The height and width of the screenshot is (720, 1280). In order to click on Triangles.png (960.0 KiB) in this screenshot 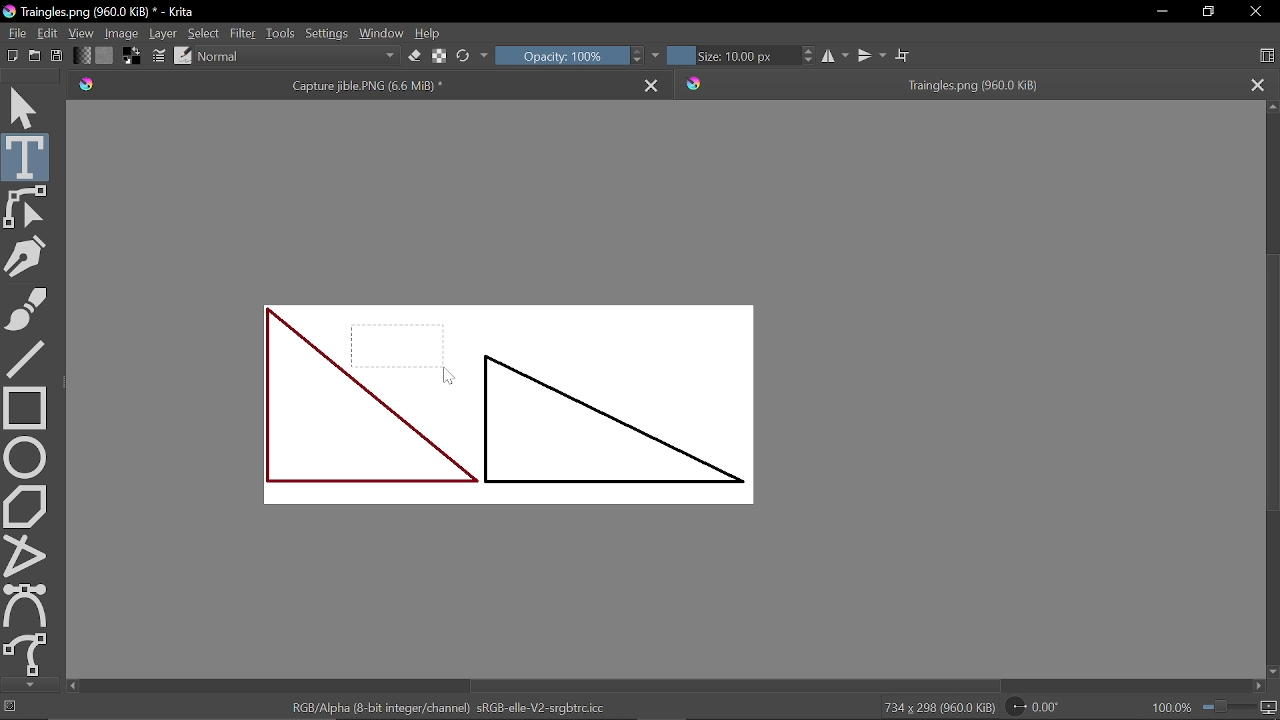, I will do `click(117, 12)`.